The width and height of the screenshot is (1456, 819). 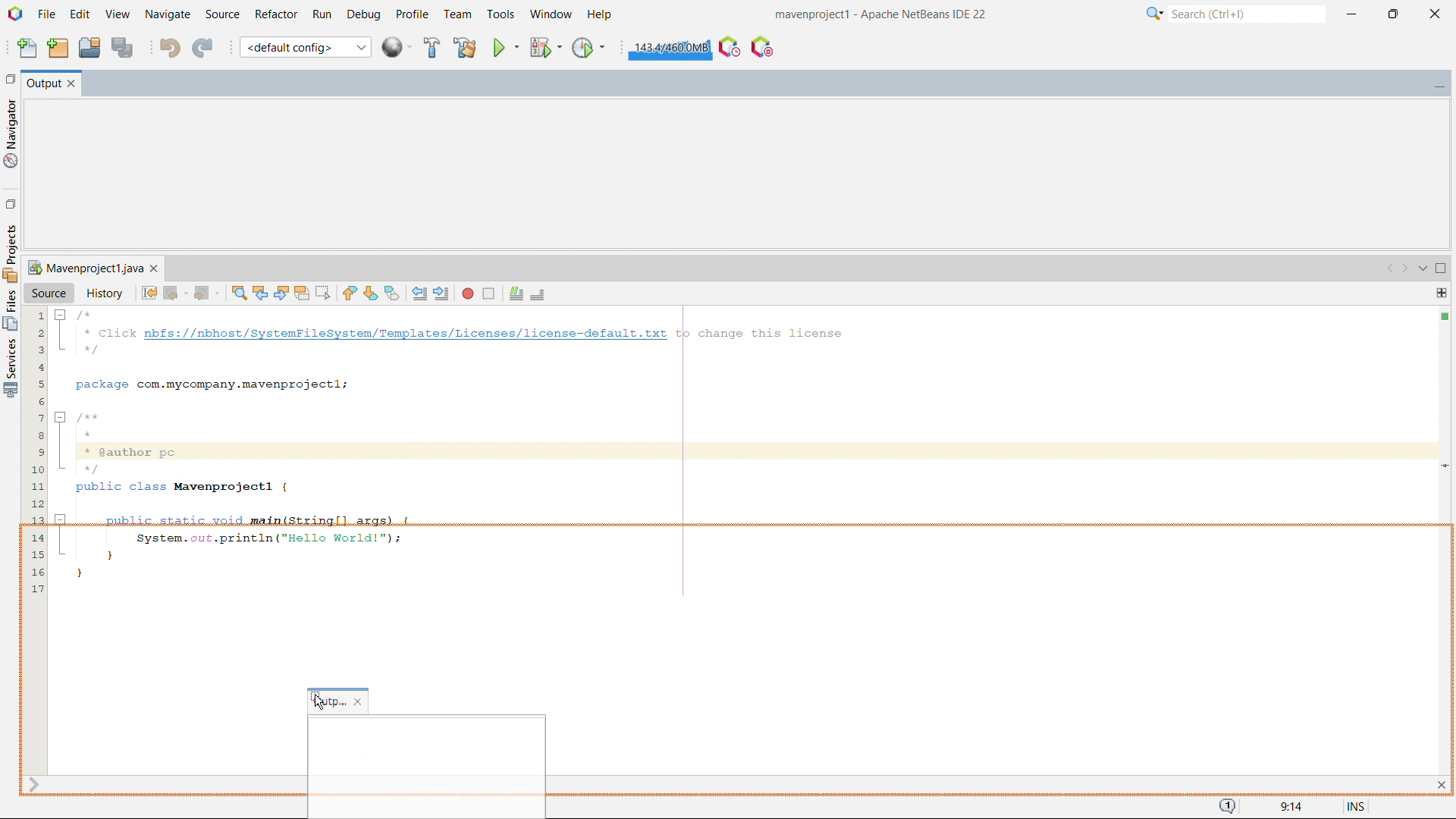 What do you see at coordinates (589, 48) in the screenshot?
I see `profile project` at bounding box center [589, 48].